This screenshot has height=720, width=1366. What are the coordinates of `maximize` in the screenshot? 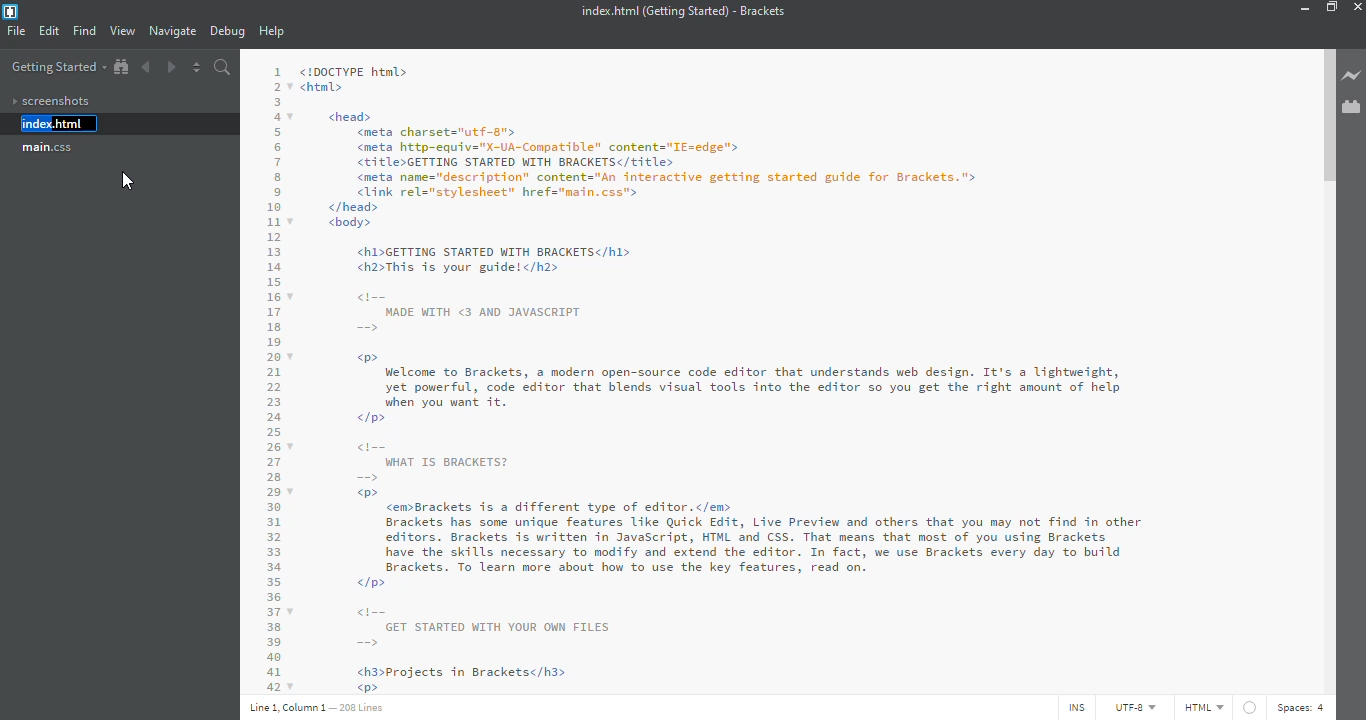 It's located at (1332, 7).